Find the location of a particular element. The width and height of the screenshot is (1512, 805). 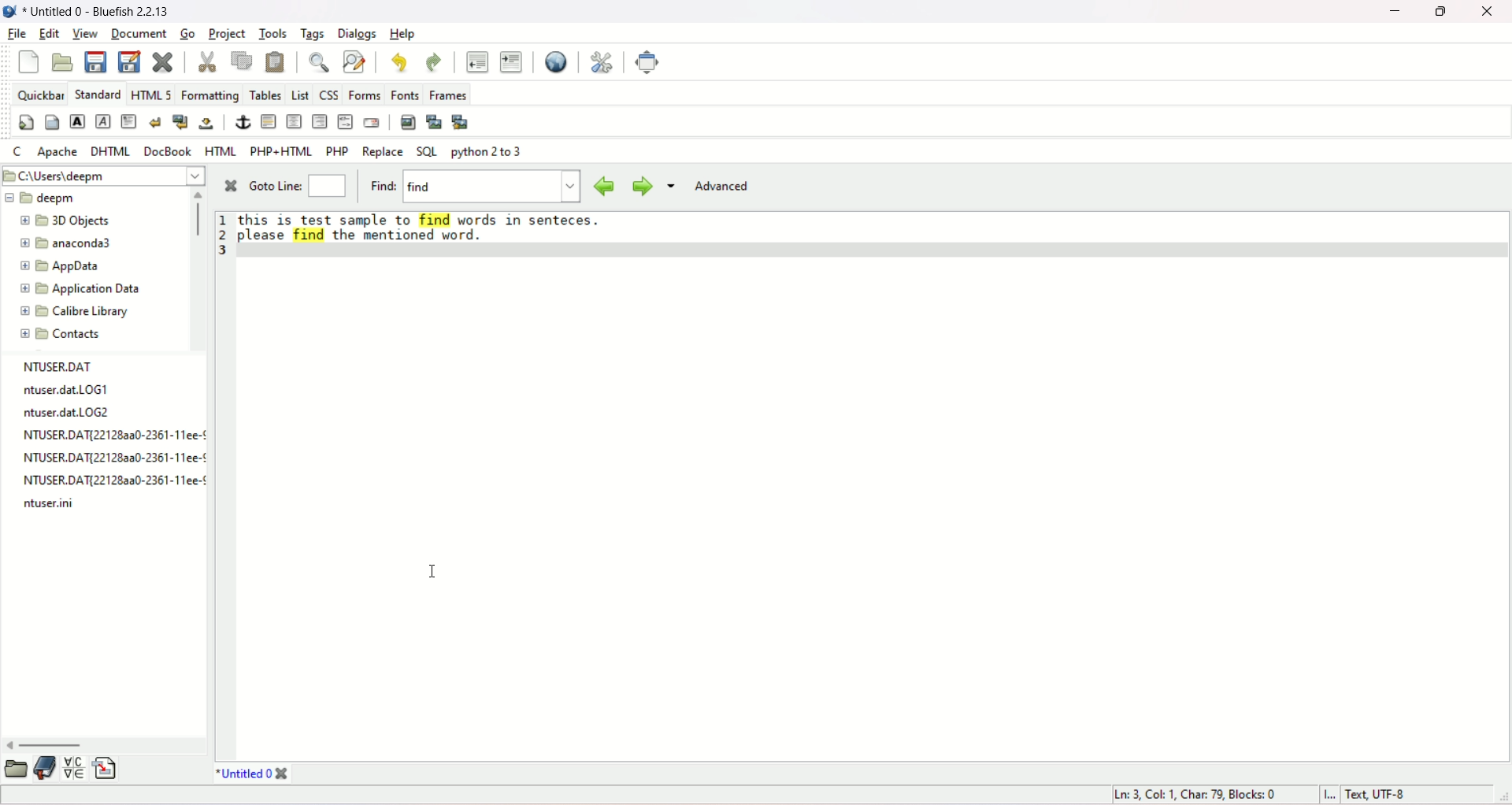

dialogs is located at coordinates (356, 34).